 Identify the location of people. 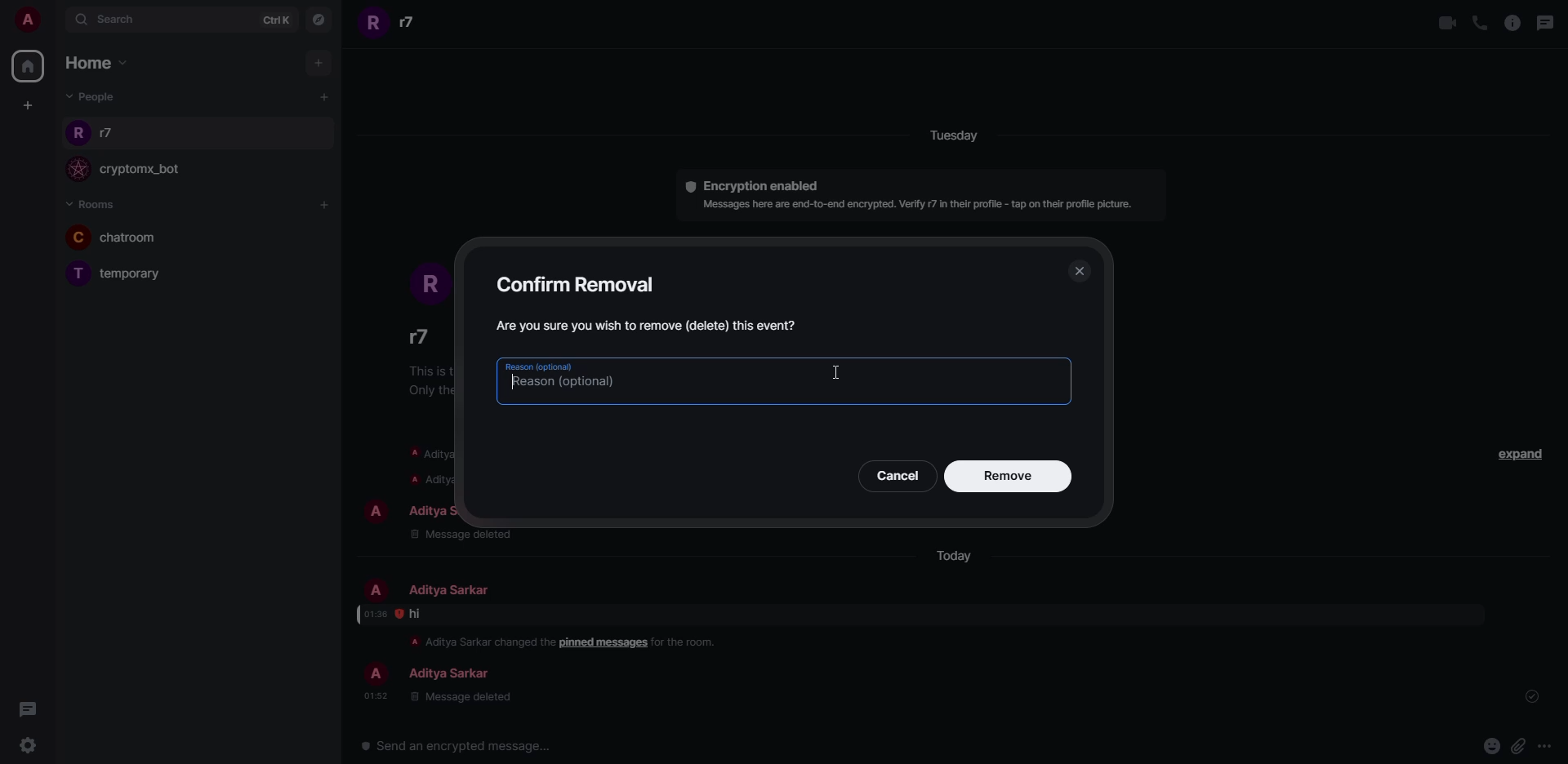
(446, 590).